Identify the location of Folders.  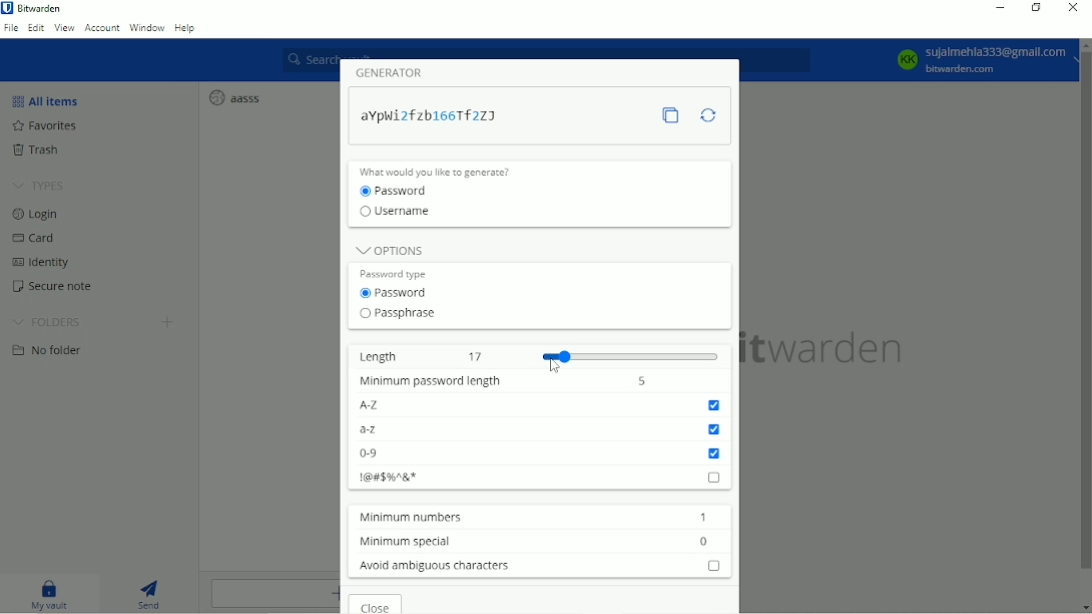
(50, 322).